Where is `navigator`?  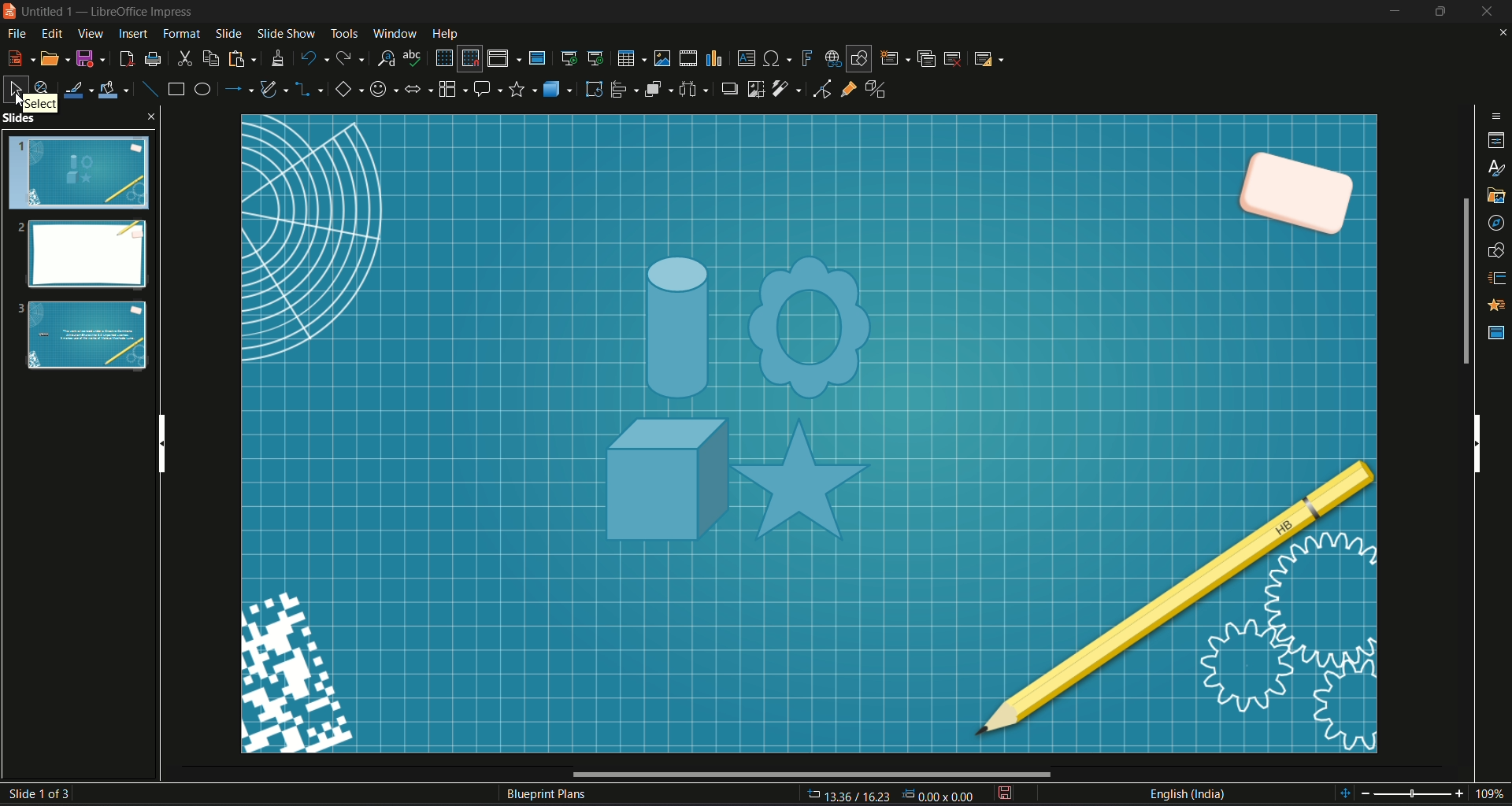 navigator is located at coordinates (1496, 225).